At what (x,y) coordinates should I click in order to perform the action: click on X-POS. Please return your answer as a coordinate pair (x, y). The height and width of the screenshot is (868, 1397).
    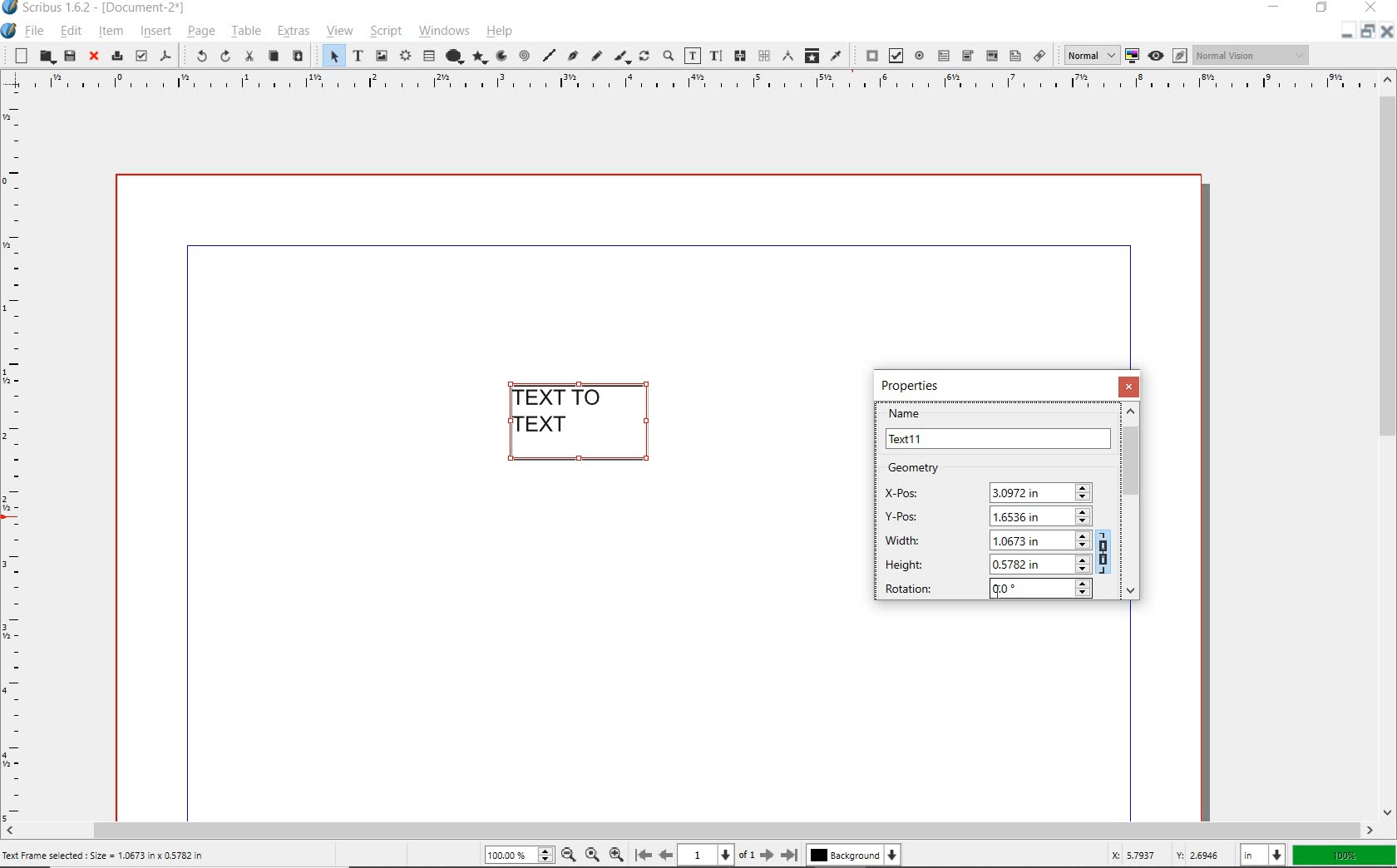
    Looking at the image, I should click on (988, 490).